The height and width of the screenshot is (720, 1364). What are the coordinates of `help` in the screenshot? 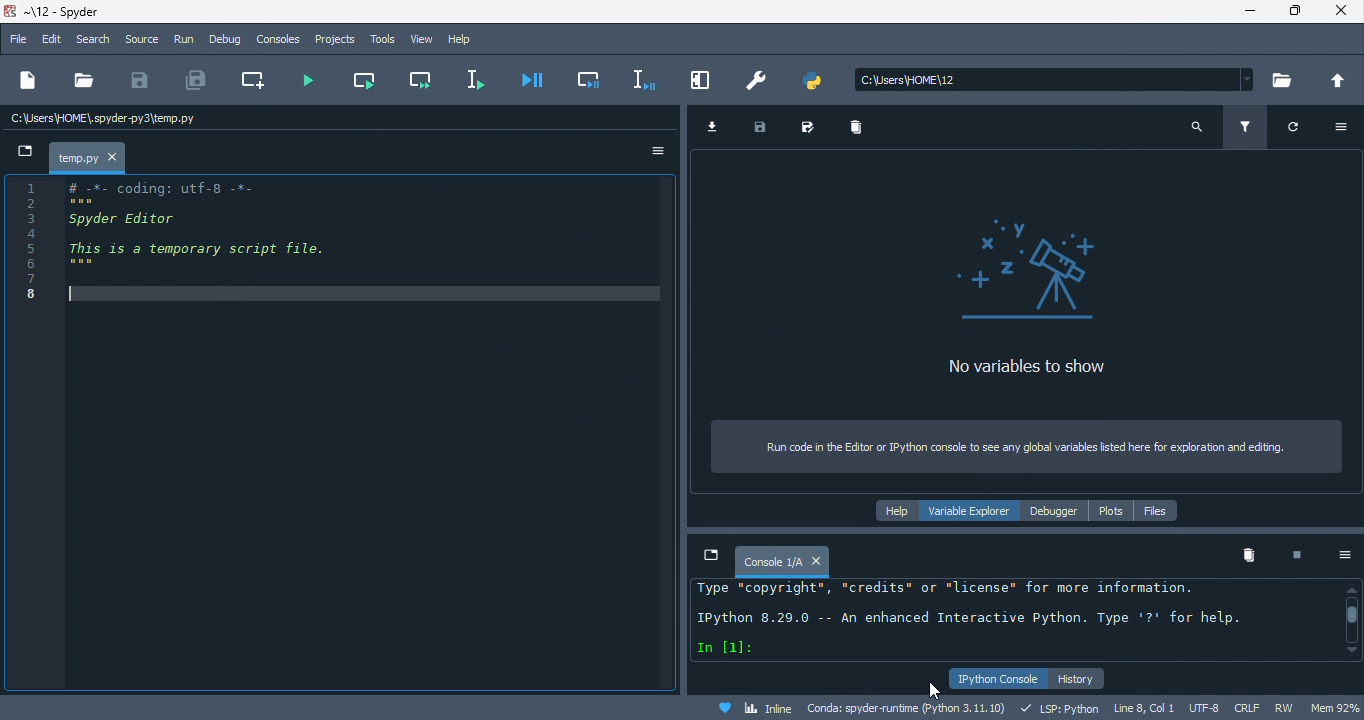 It's located at (894, 509).